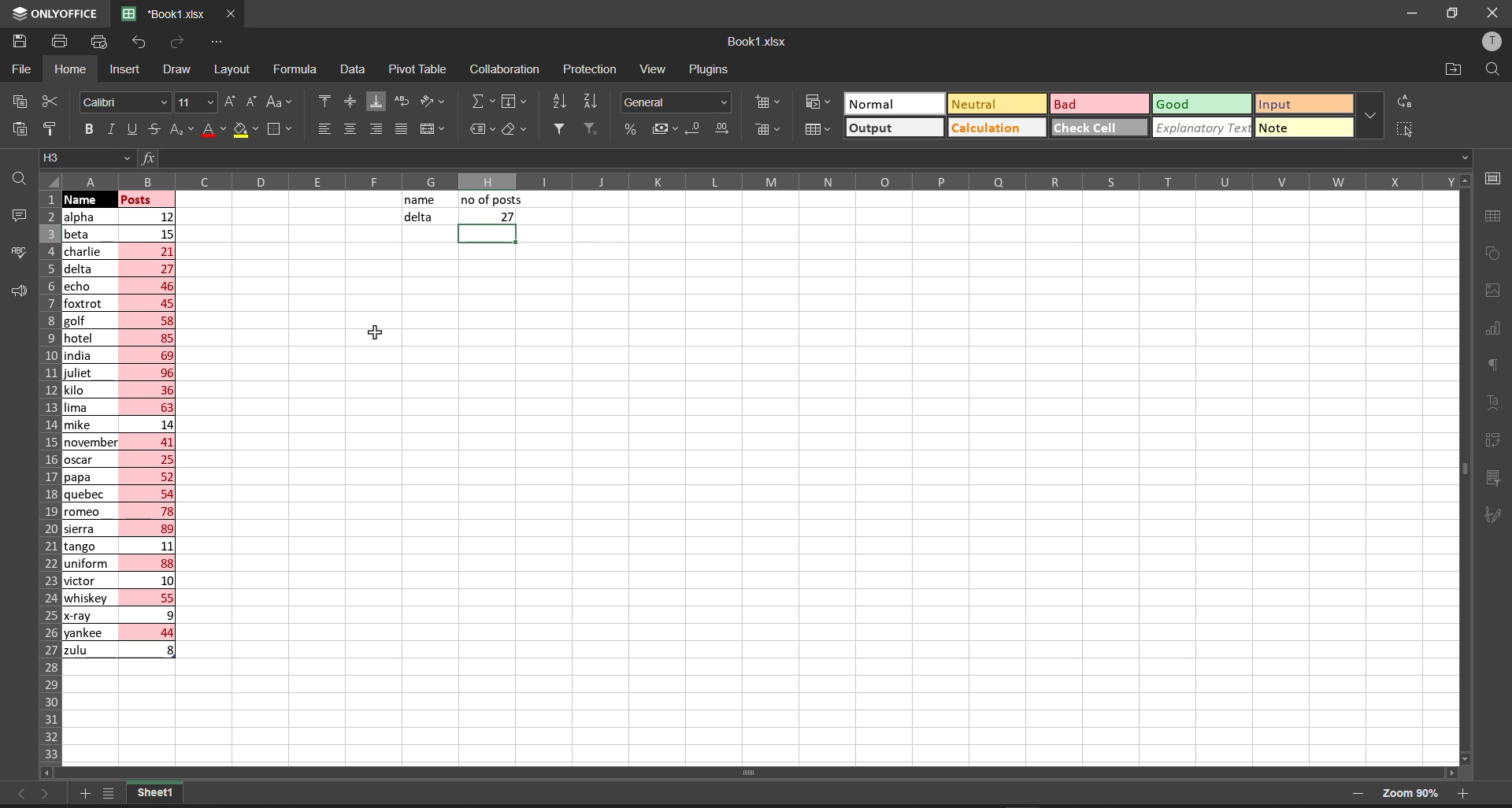  I want to click on select all, so click(1403, 128).